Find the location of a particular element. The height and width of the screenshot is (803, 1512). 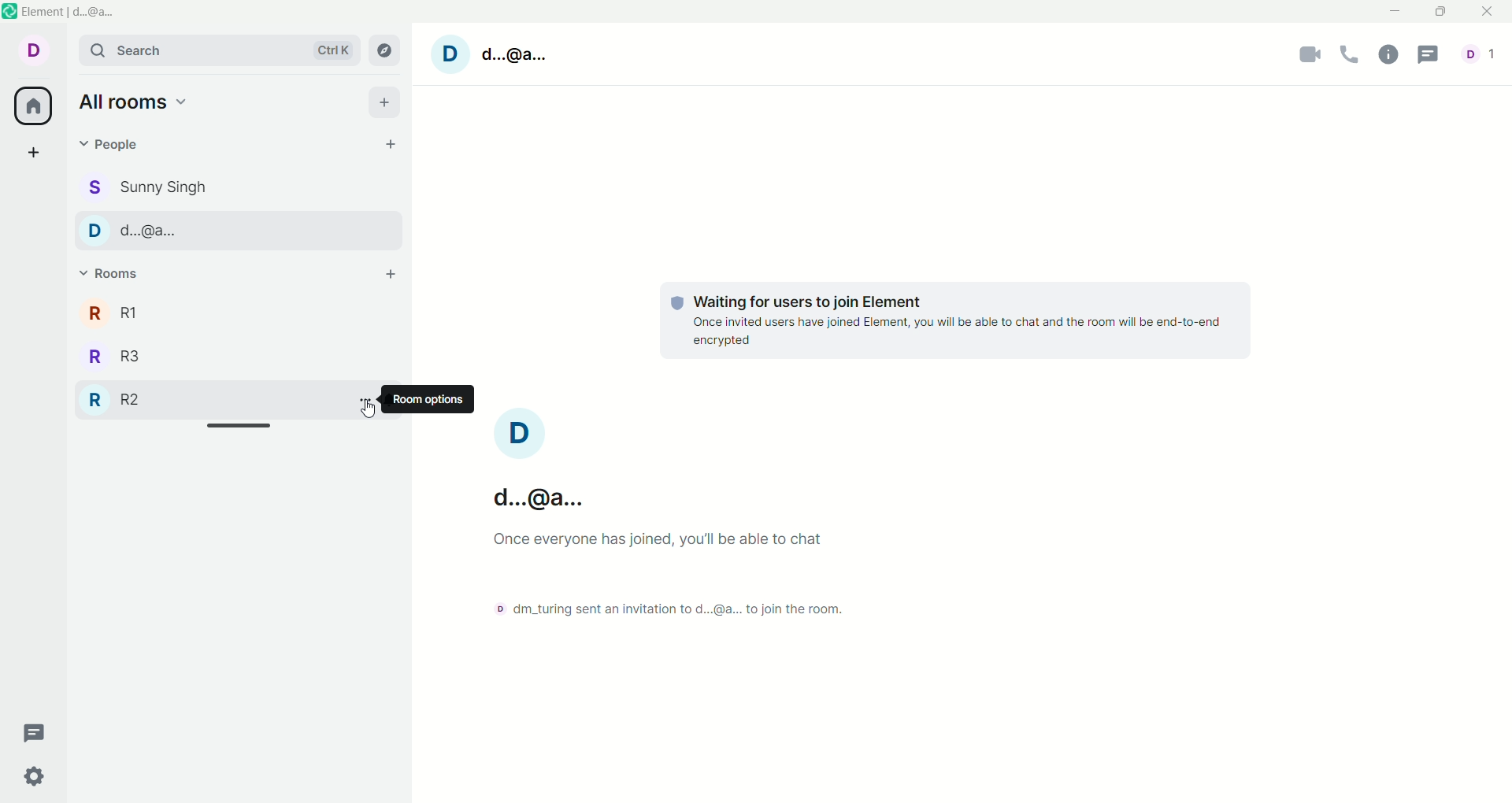

video call is located at coordinates (1314, 56).